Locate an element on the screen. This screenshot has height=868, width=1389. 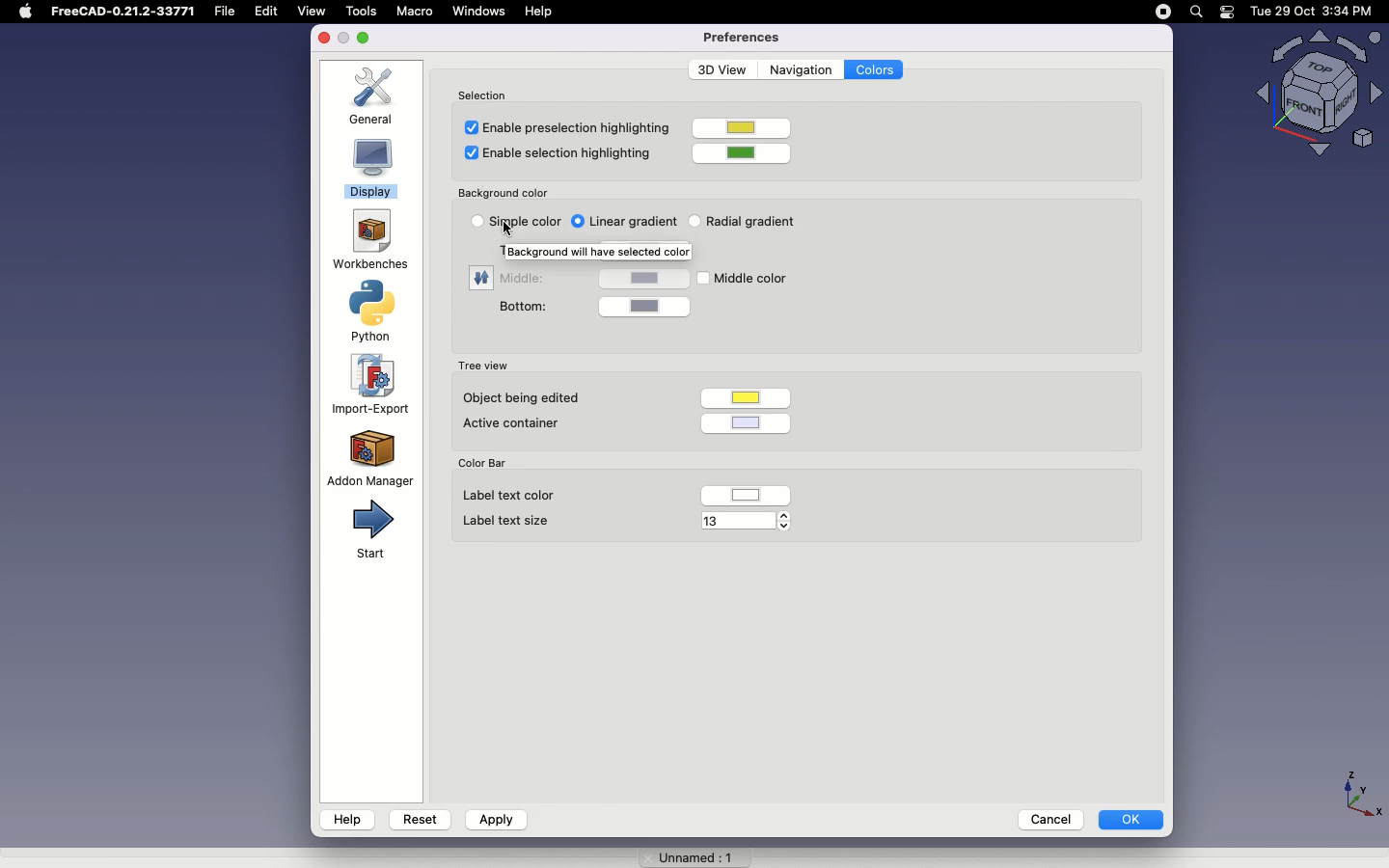
search is located at coordinates (1195, 12).